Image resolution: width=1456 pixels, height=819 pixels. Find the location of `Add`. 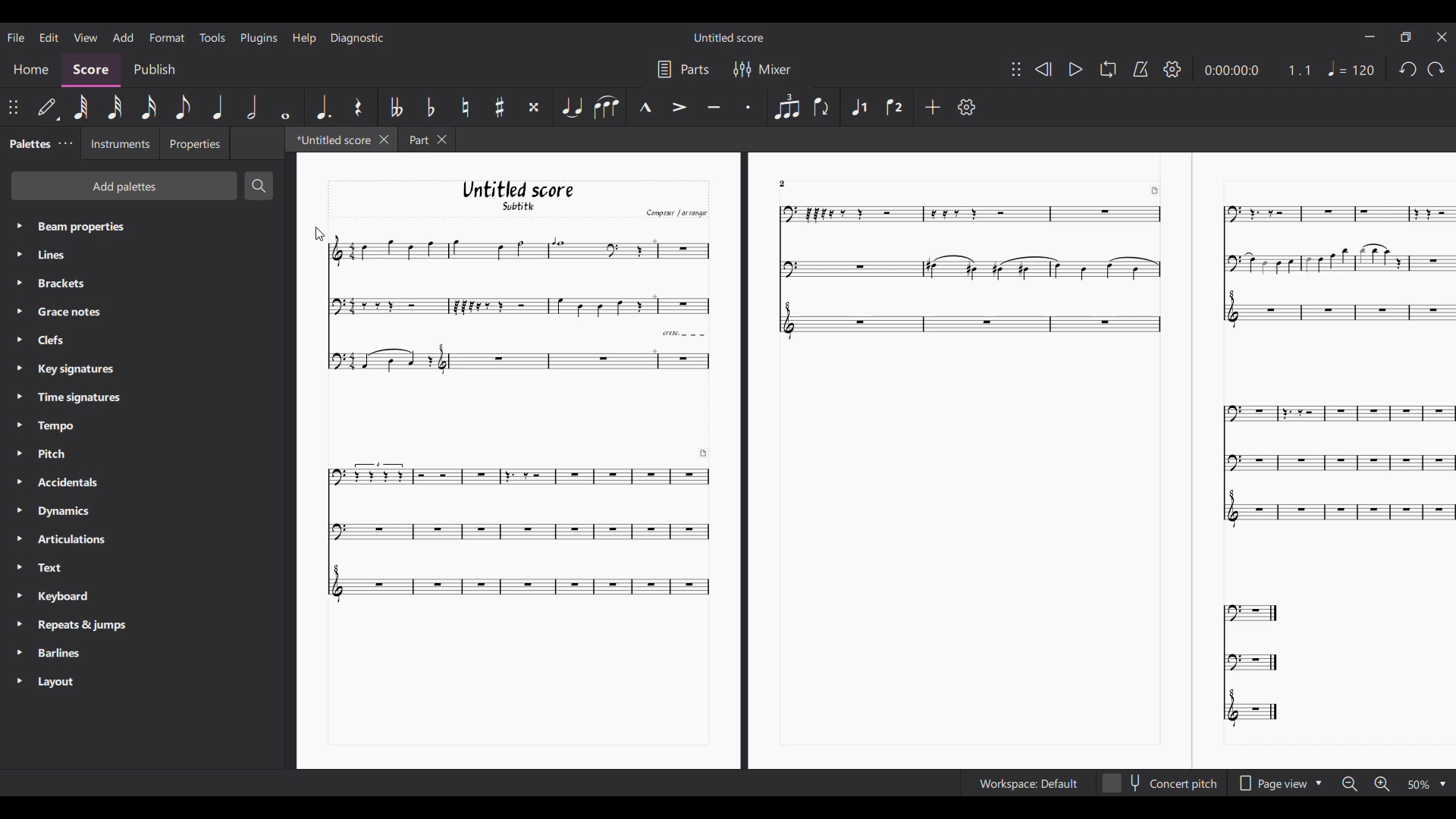

Add is located at coordinates (932, 106).